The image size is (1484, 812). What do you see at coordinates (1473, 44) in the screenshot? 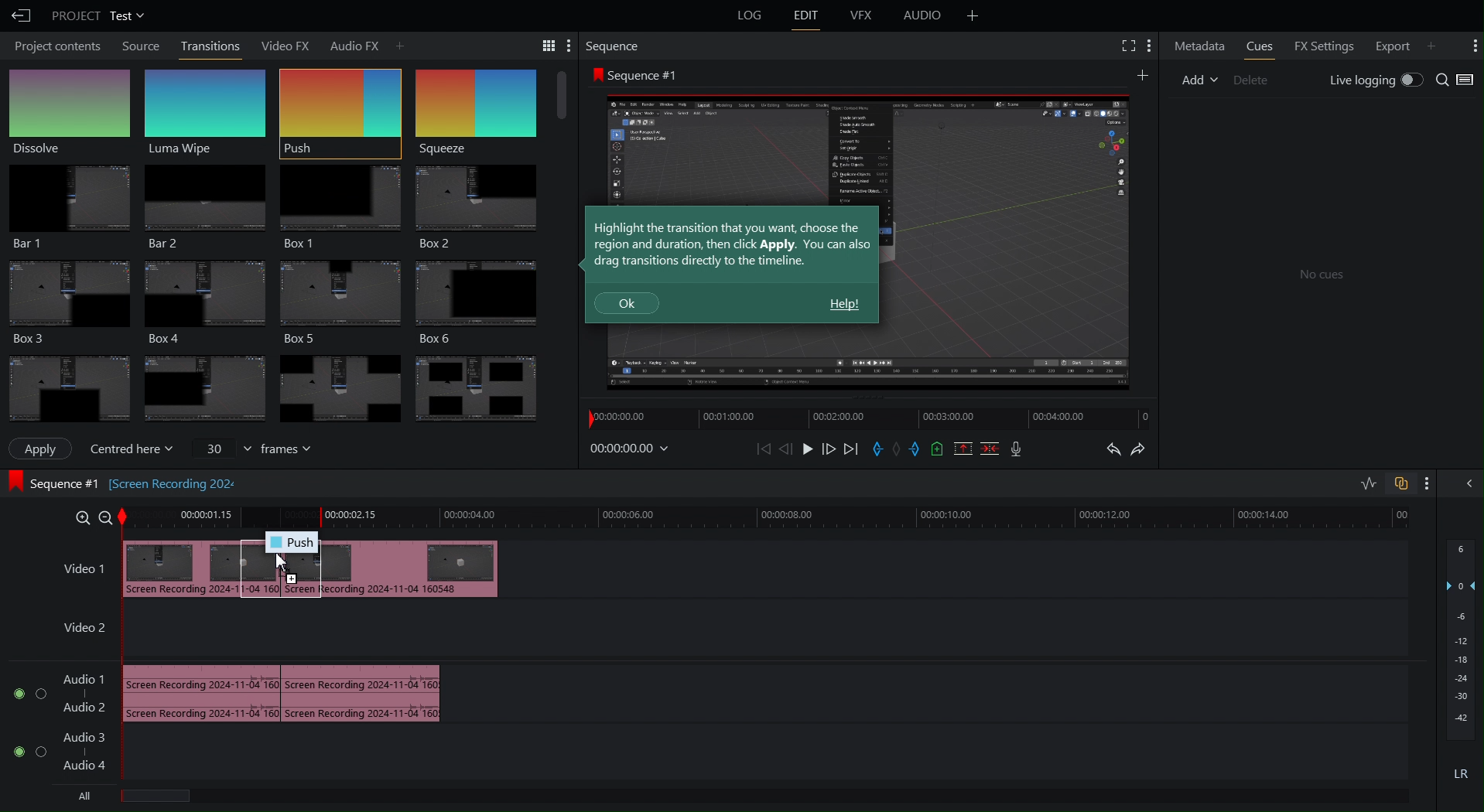
I see `More` at bounding box center [1473, 44].